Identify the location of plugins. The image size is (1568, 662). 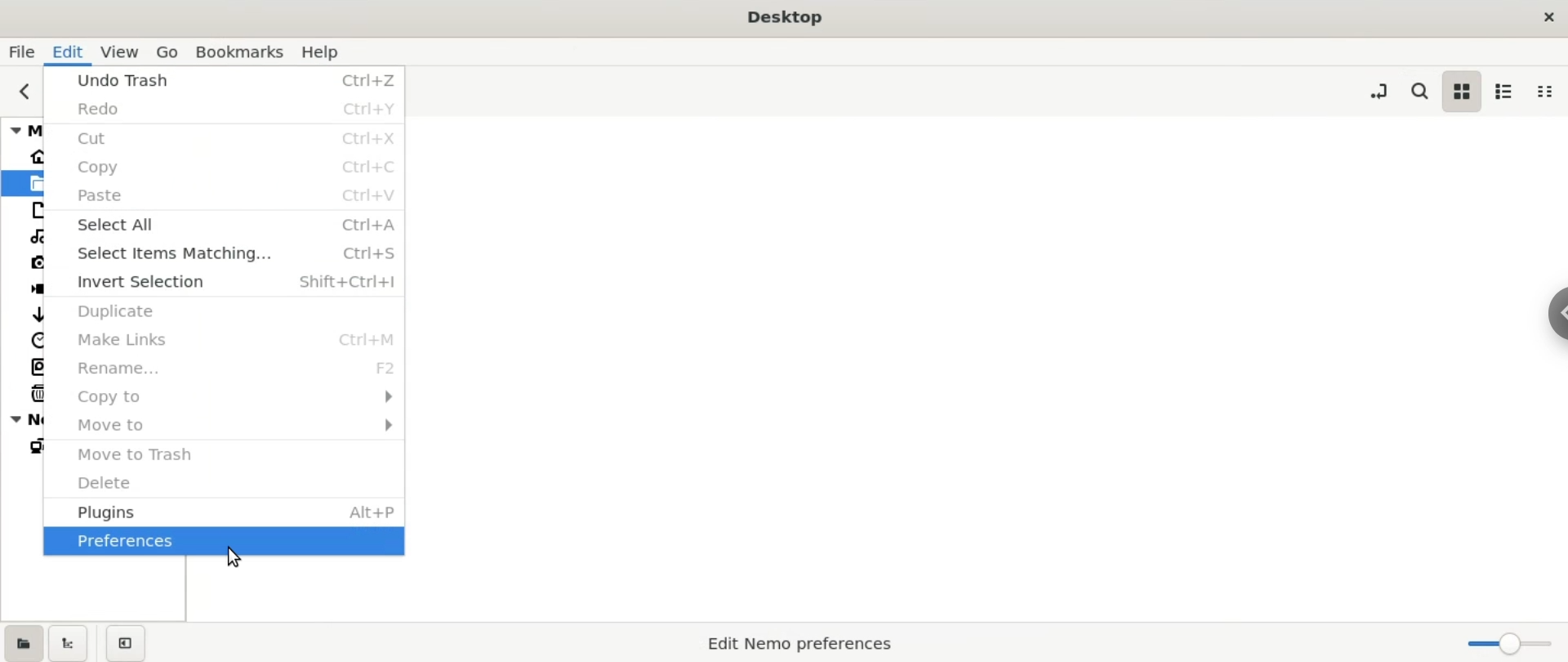
(220, 514).